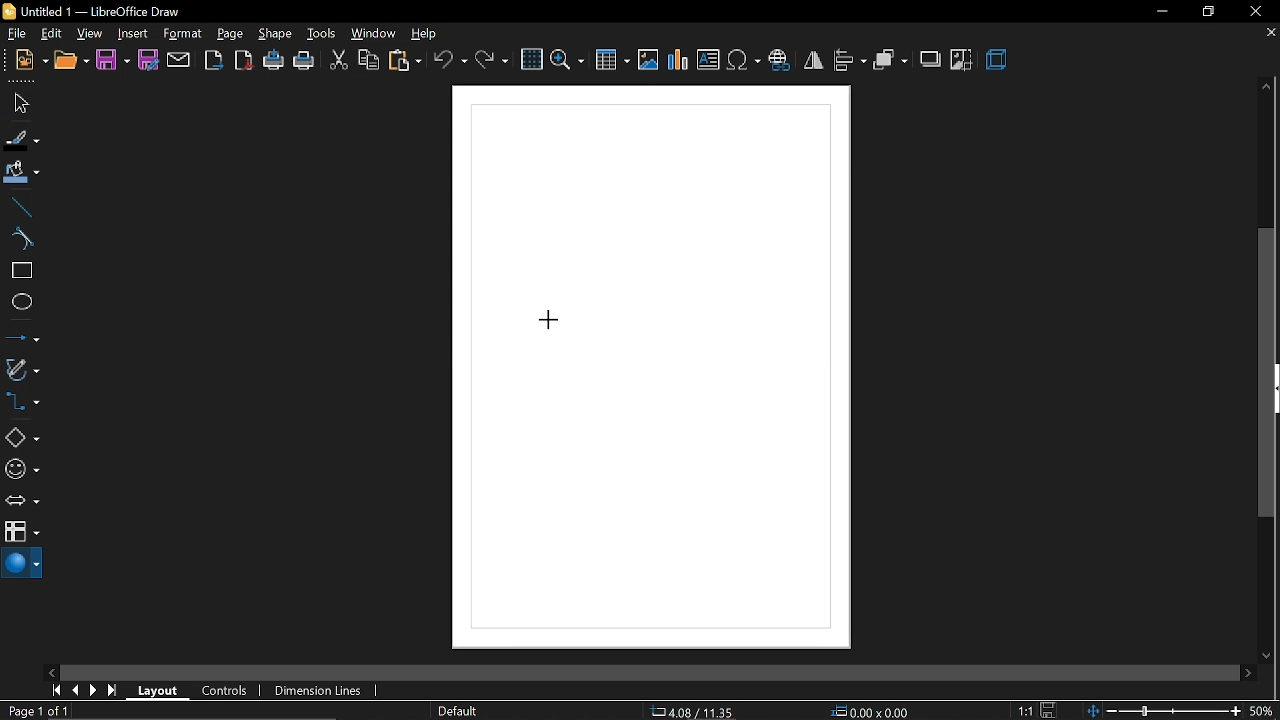  What do you see at coordinates (21, 469) in the screenshot?
I see `symbol shapes` at bounding box center [21, 469].